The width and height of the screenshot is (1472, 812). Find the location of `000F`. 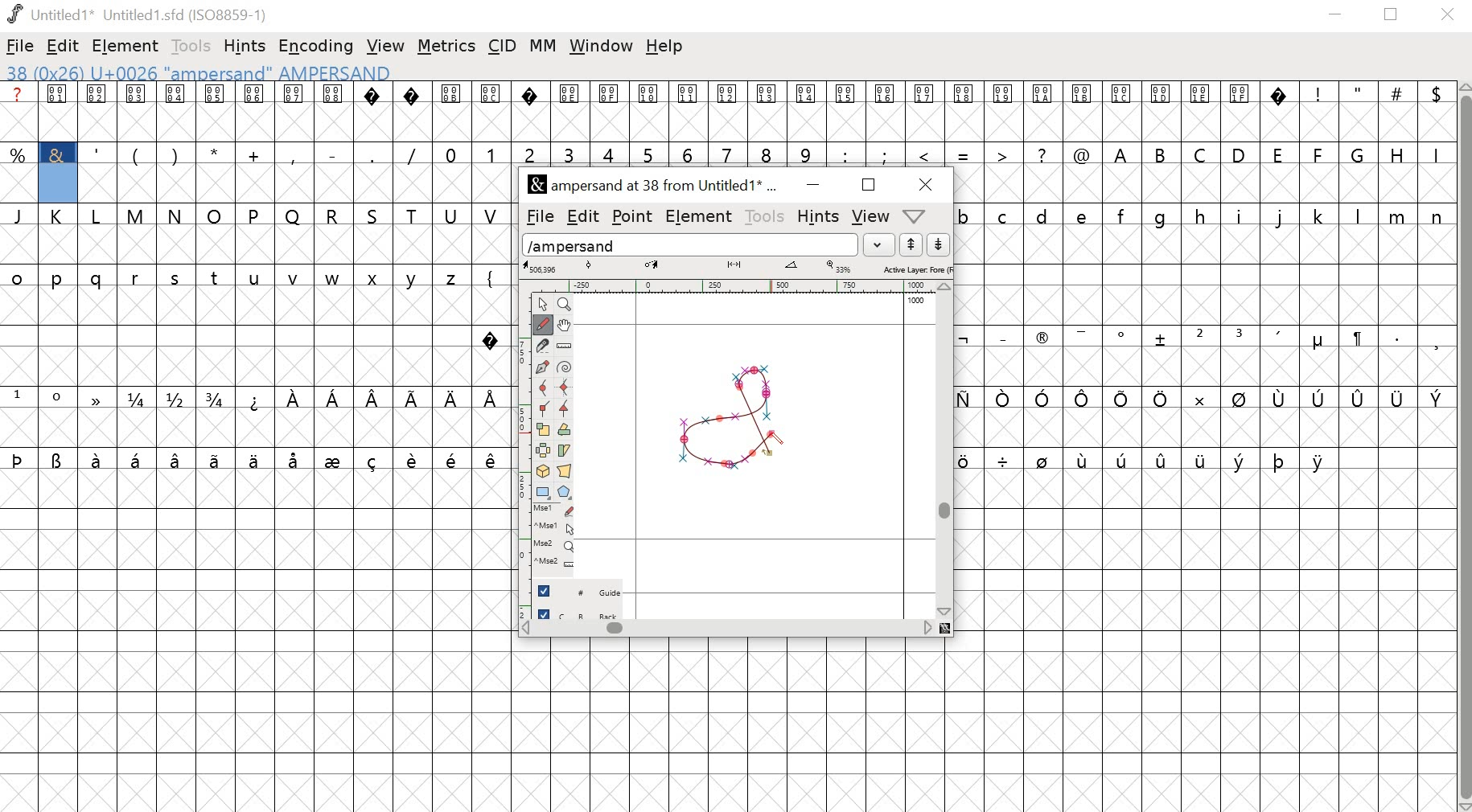

000F is located at coordinates (610, 112).